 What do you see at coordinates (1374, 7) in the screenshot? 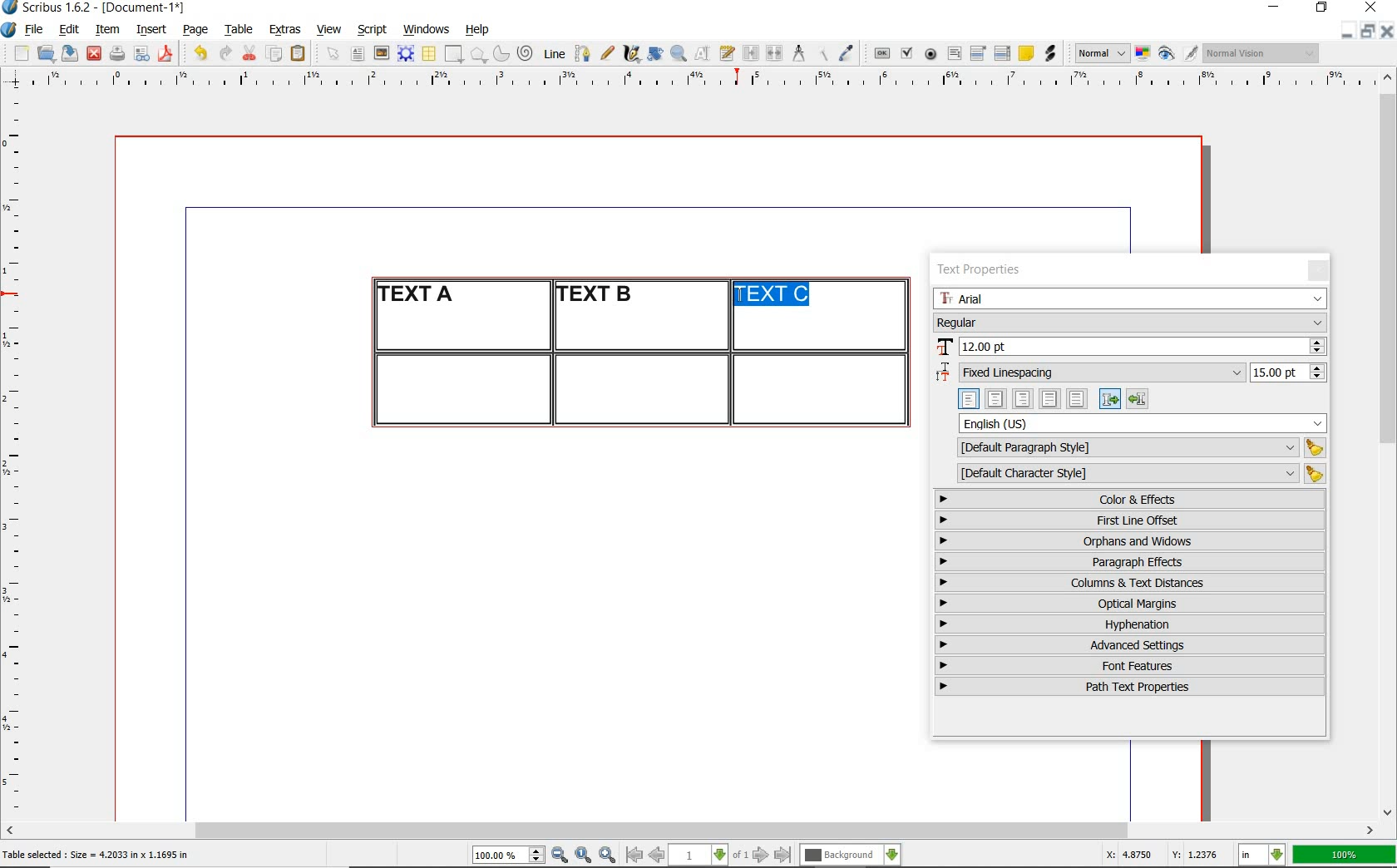
I see `close` at bounding box center [1374, 7].